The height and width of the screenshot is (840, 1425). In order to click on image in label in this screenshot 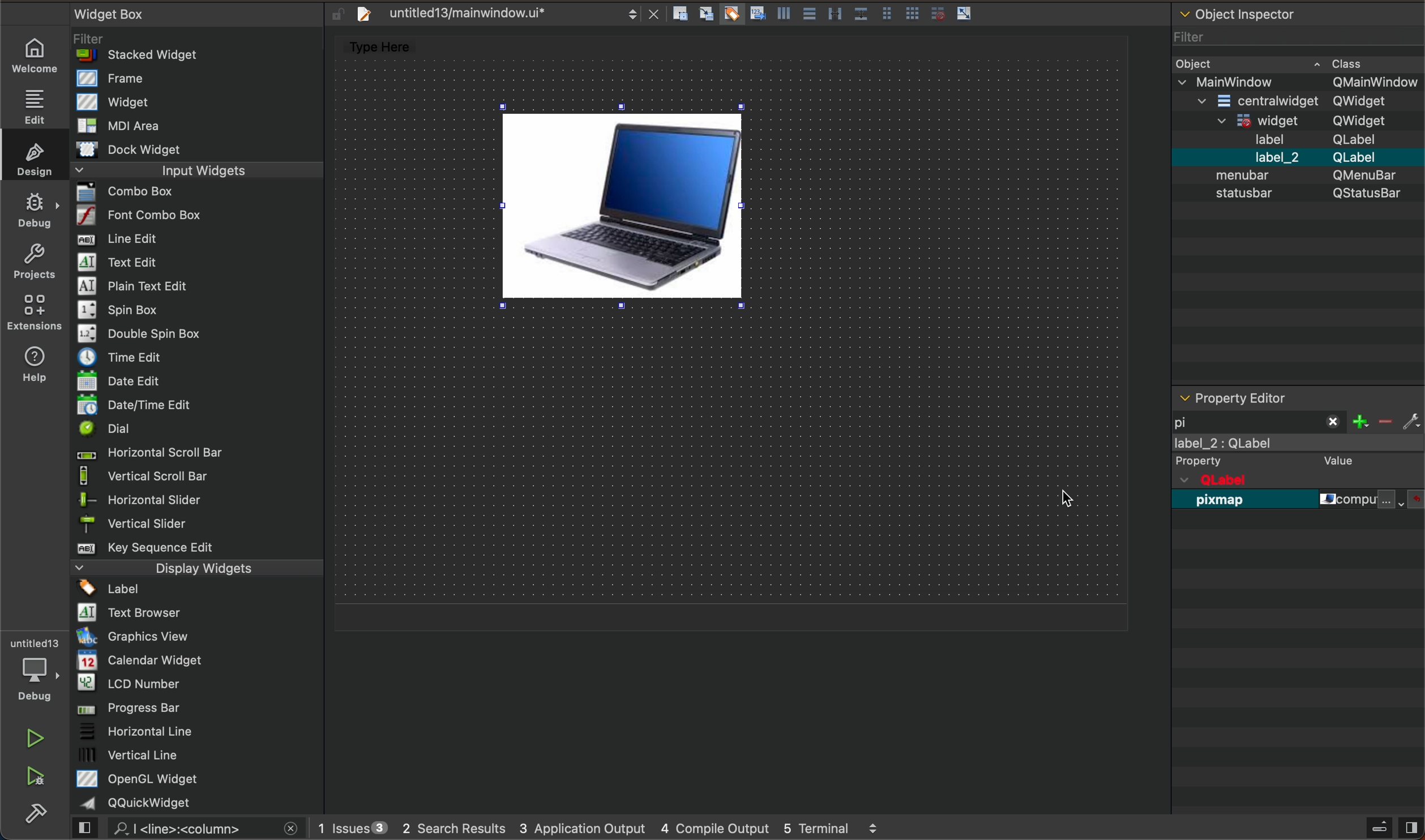, I will do `click(622, 208)`.